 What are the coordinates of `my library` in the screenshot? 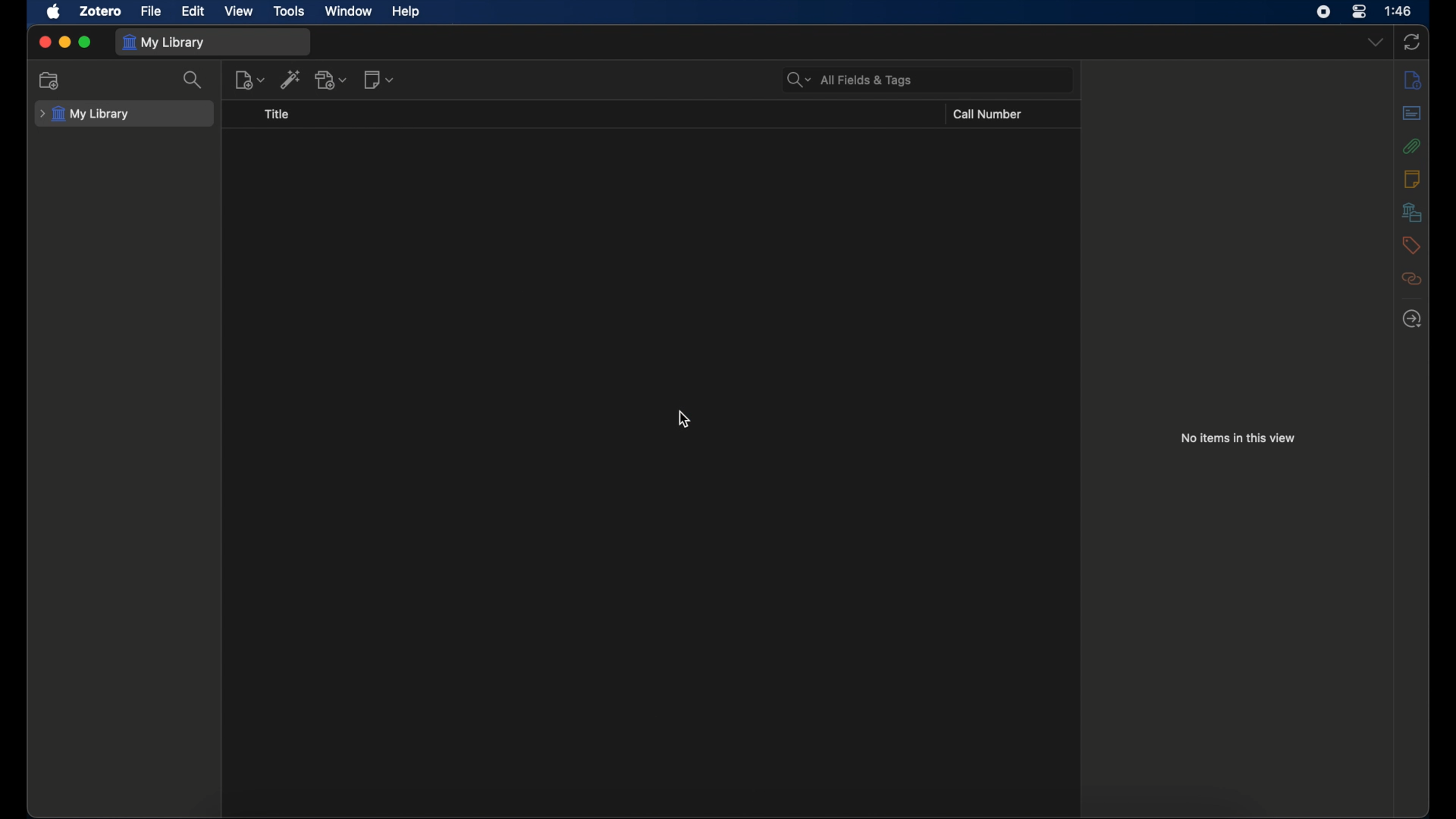 It's located at (85, 115).